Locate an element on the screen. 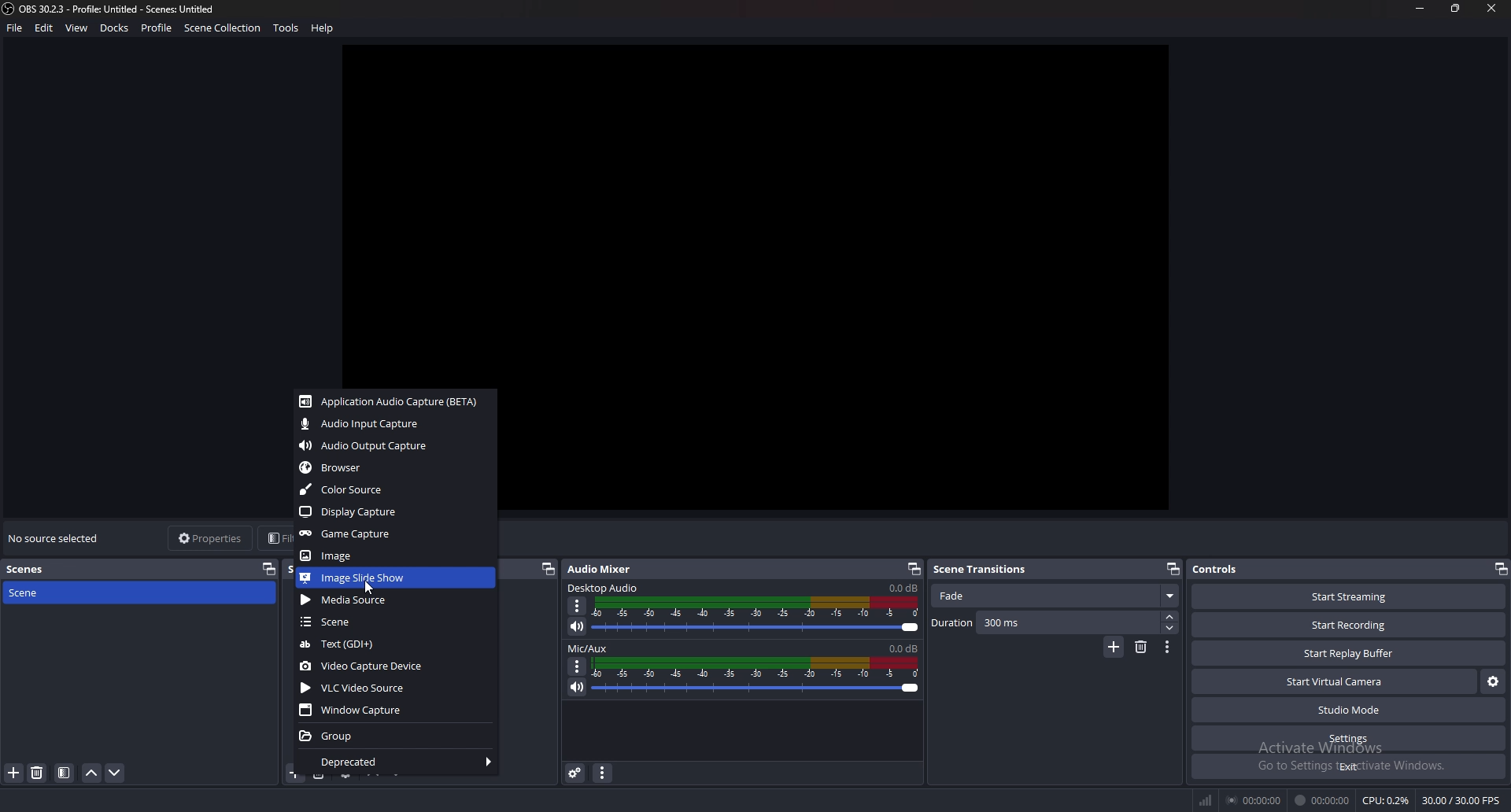  network is located at coordinates (1207, 800).